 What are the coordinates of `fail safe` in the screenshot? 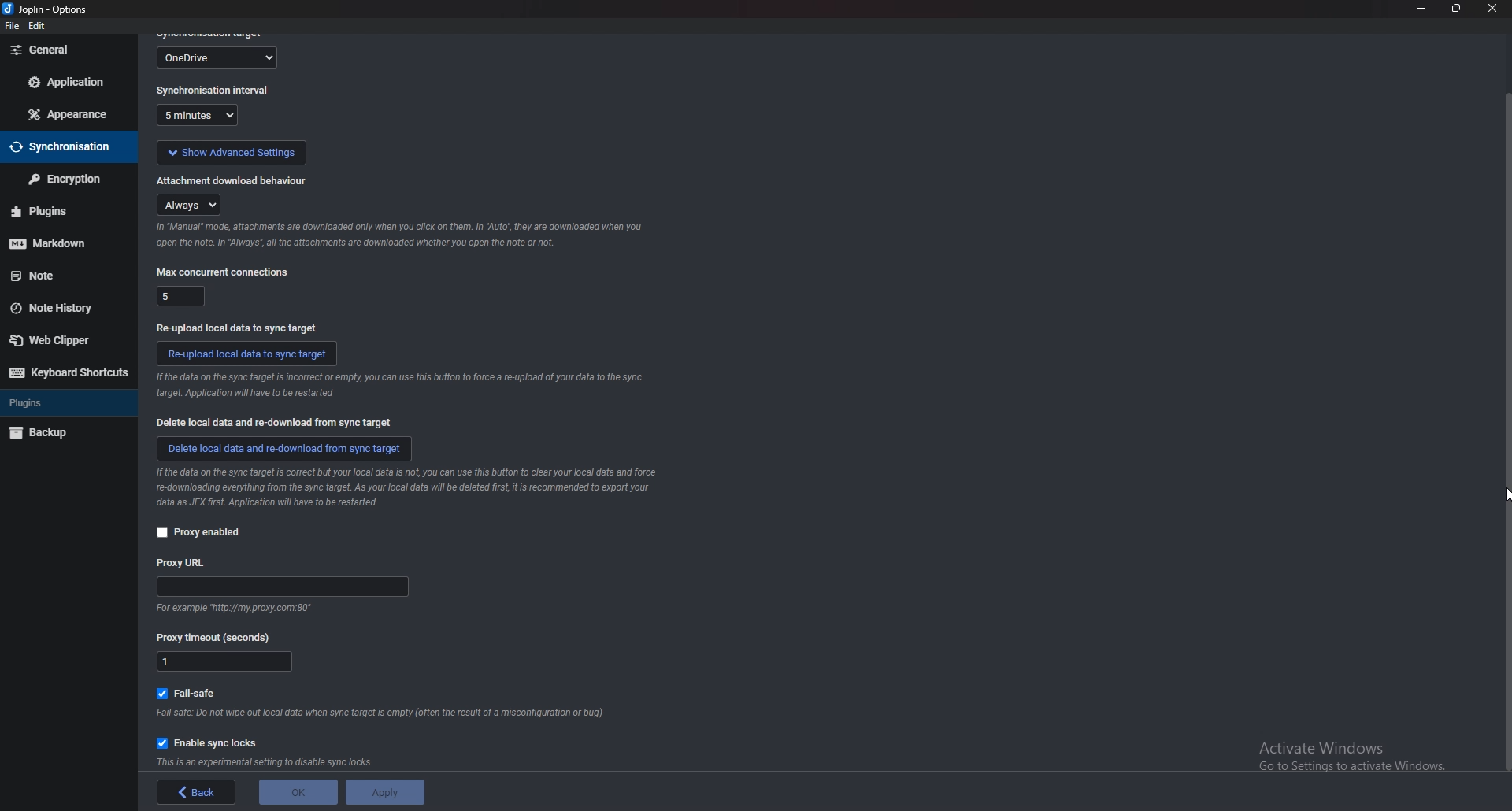 It's located at (193, 691).